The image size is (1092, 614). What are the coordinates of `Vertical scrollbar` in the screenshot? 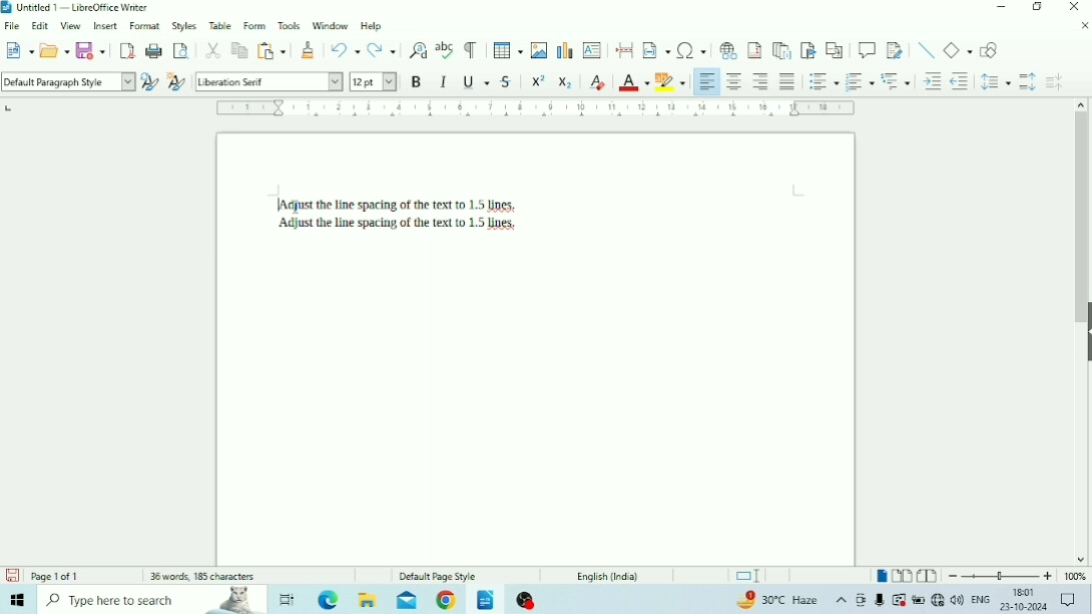 It's located at (1082, 192).